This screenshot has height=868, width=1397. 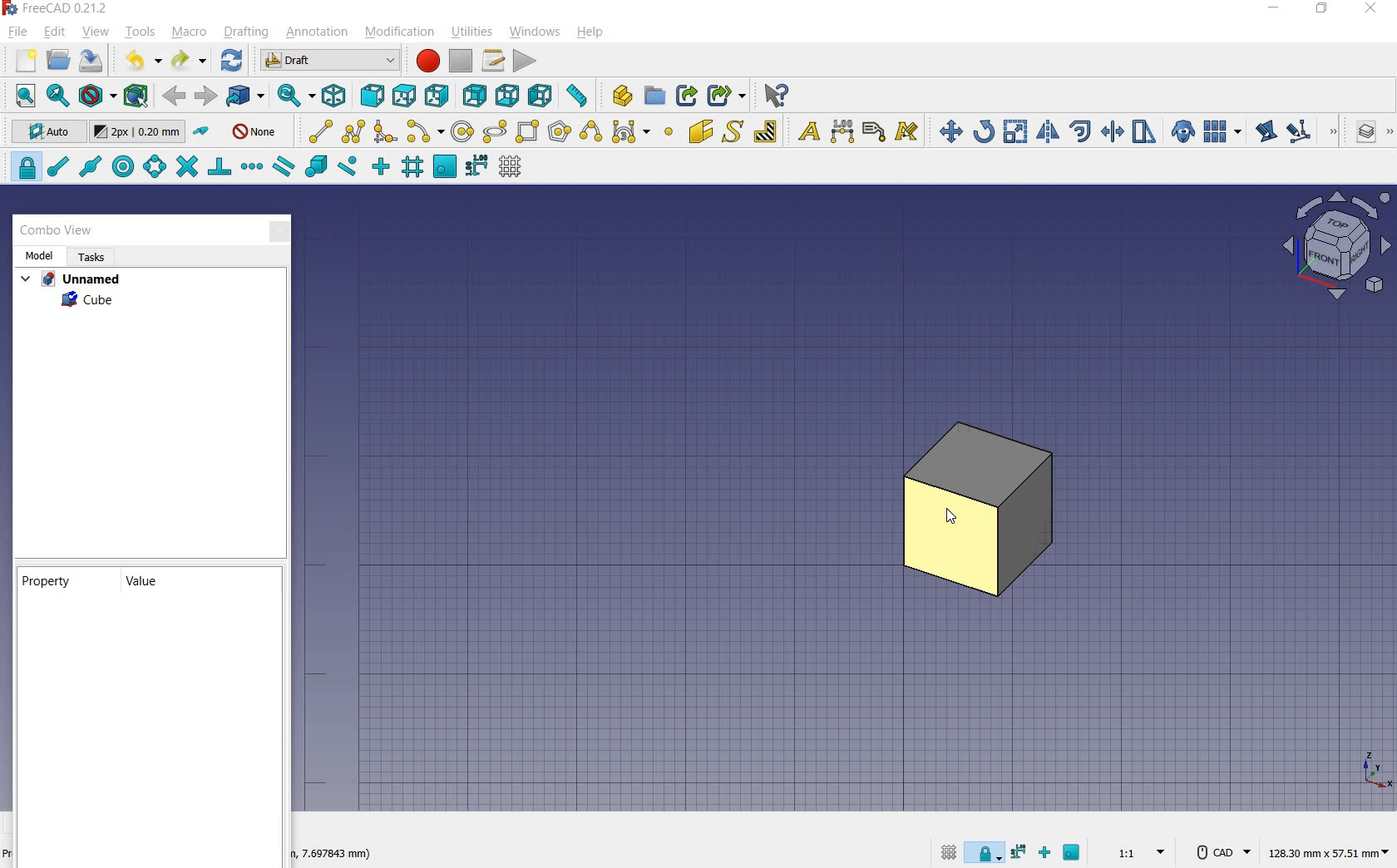 I want to click on snap midpoint, so click(x=91, y=167).